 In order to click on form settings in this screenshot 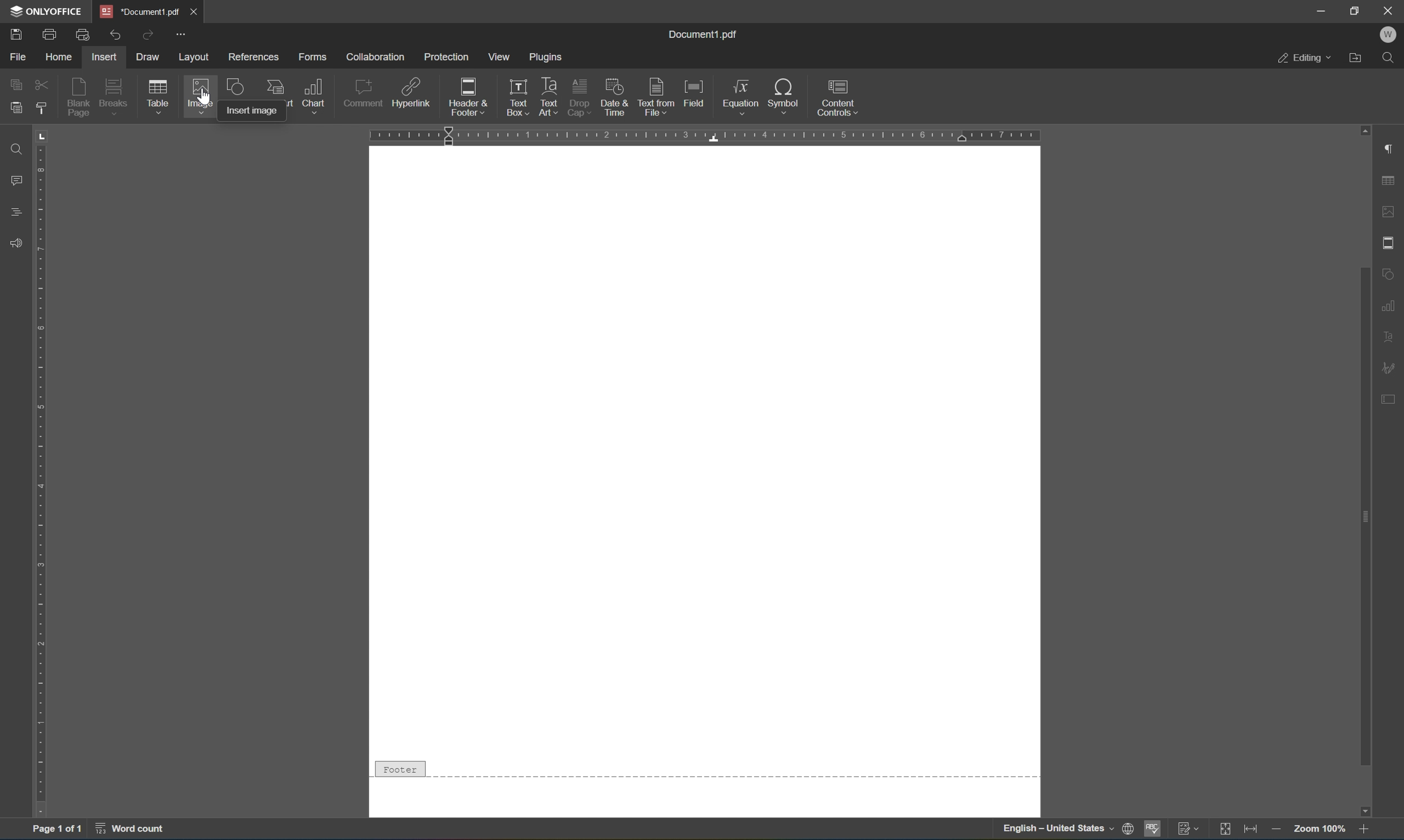, I will do `click(1393, 404)`.